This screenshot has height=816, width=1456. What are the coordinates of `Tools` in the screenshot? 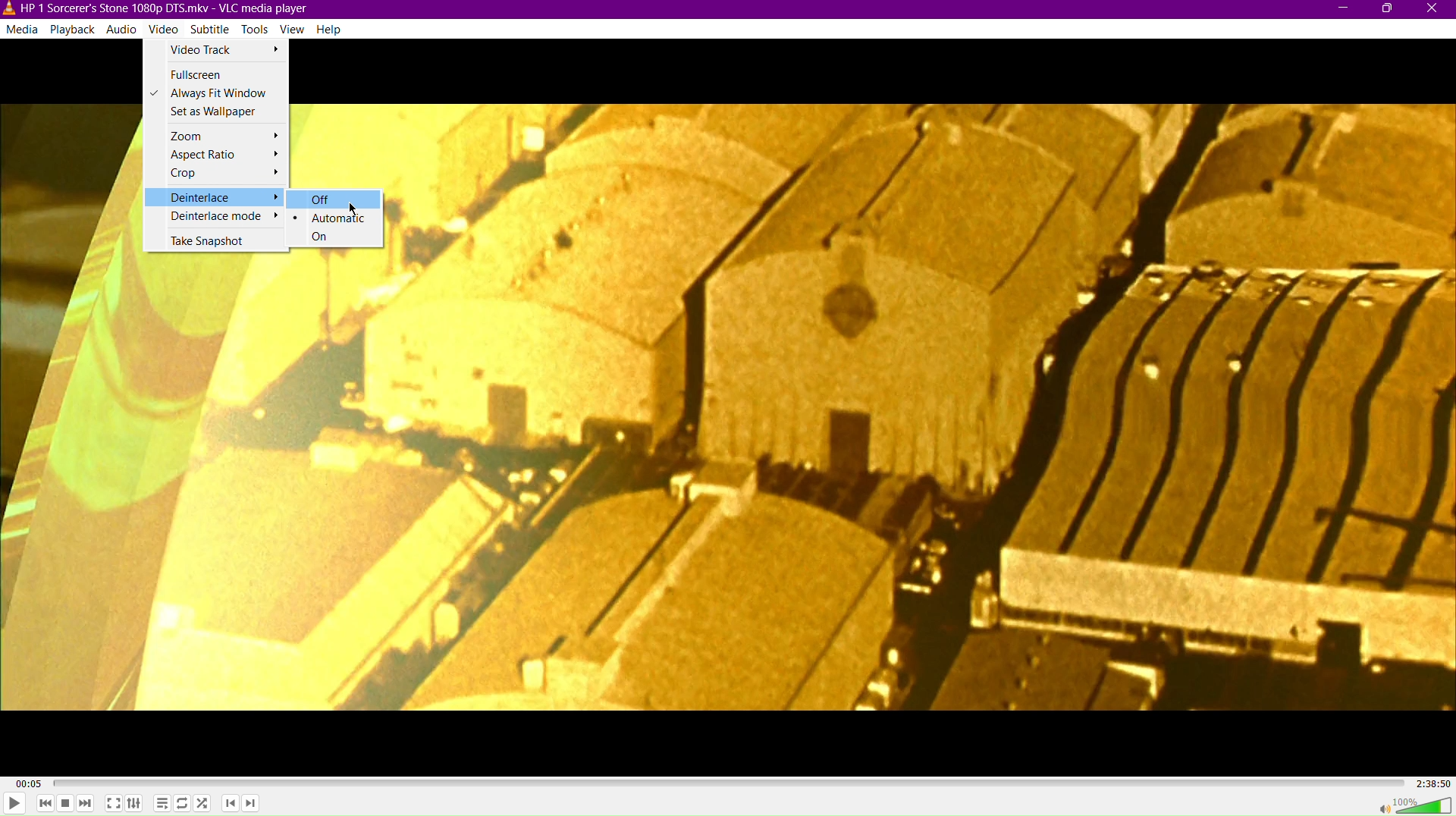 It's located at (256, 30).